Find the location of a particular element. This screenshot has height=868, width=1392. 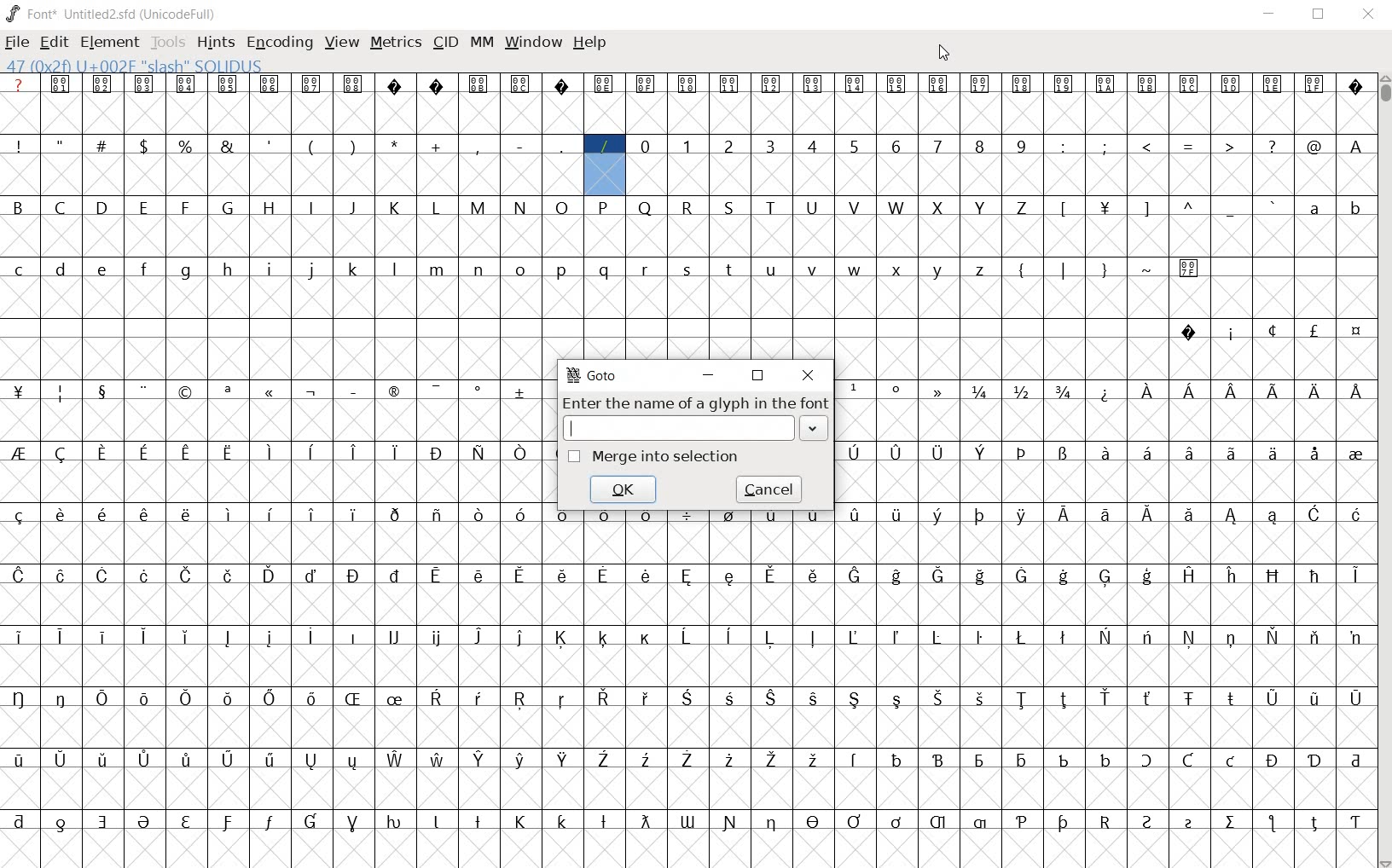

glyph is located at coordinates (1064, 454).